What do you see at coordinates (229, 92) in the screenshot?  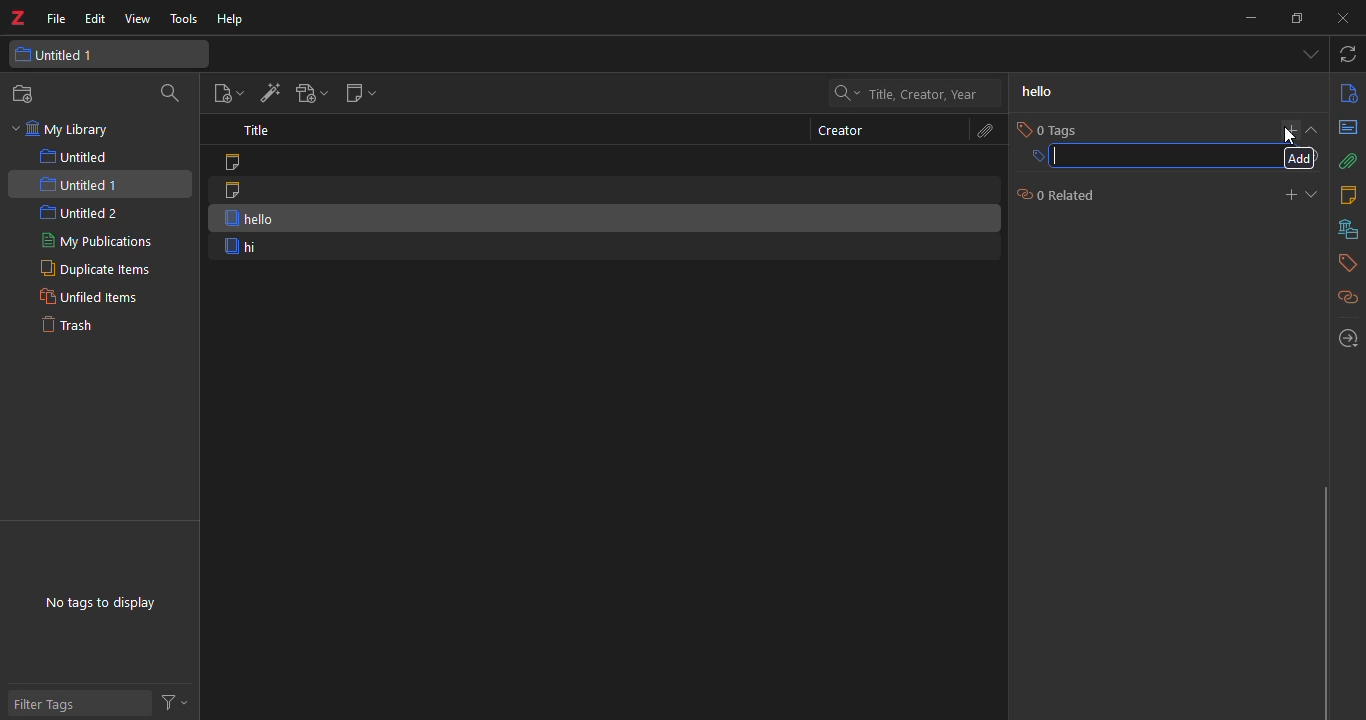 I see `new item` at bounding box center [229, 92].